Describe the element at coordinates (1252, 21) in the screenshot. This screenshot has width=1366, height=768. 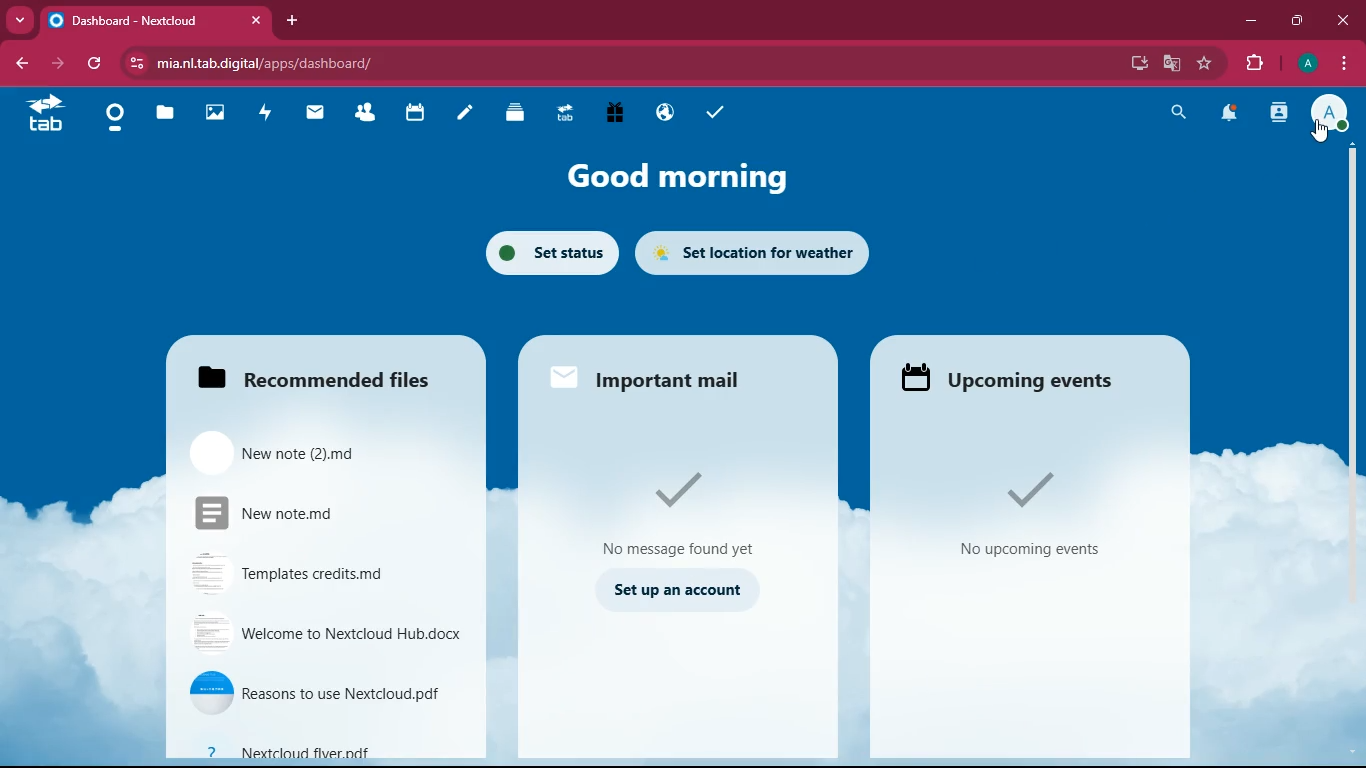
I see `minimize` at that location.